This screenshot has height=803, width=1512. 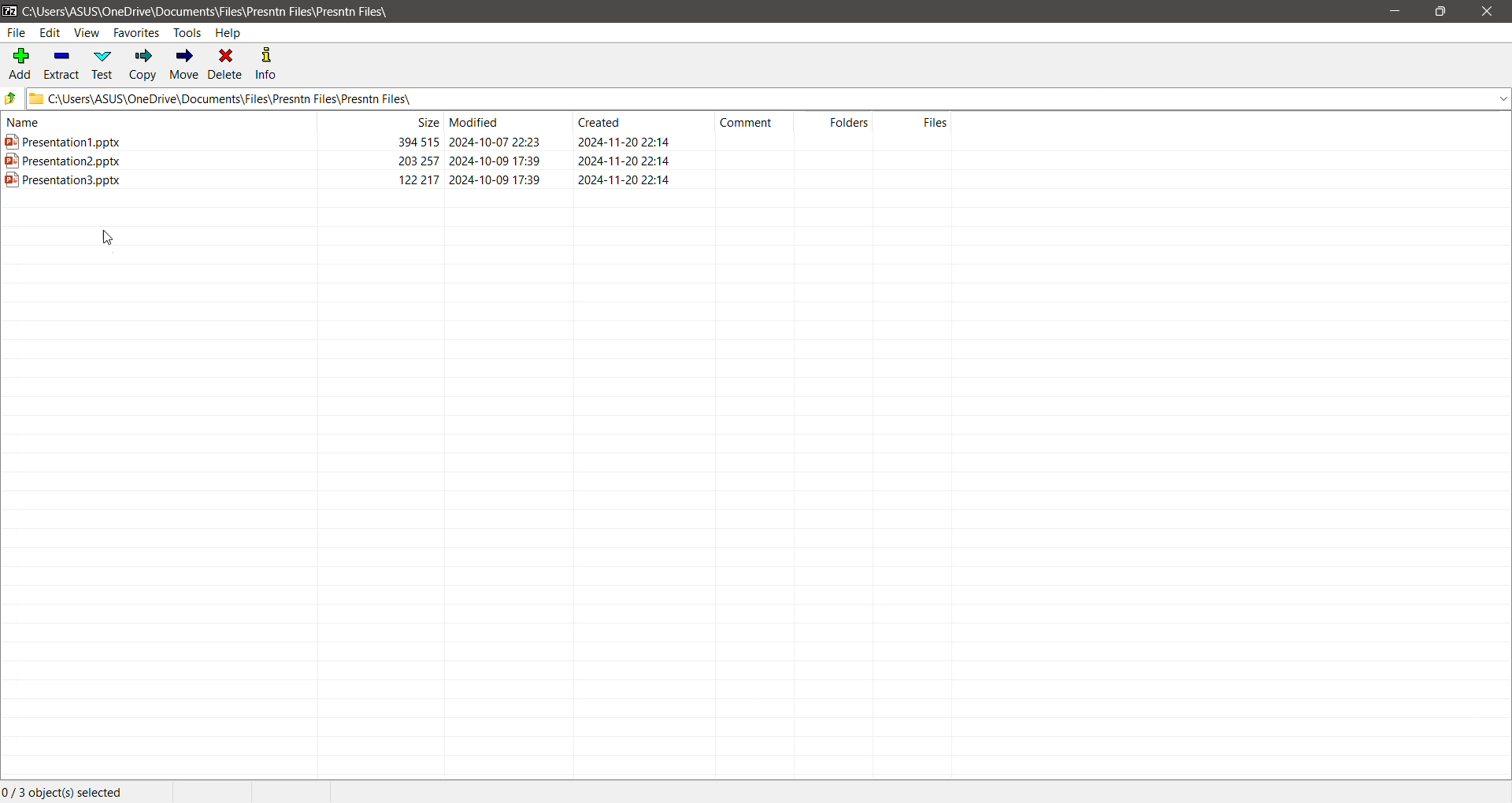 What do you see at coordinates (476, 121) in the screenshot?
I see `modified` at bounding box center [476, 121].